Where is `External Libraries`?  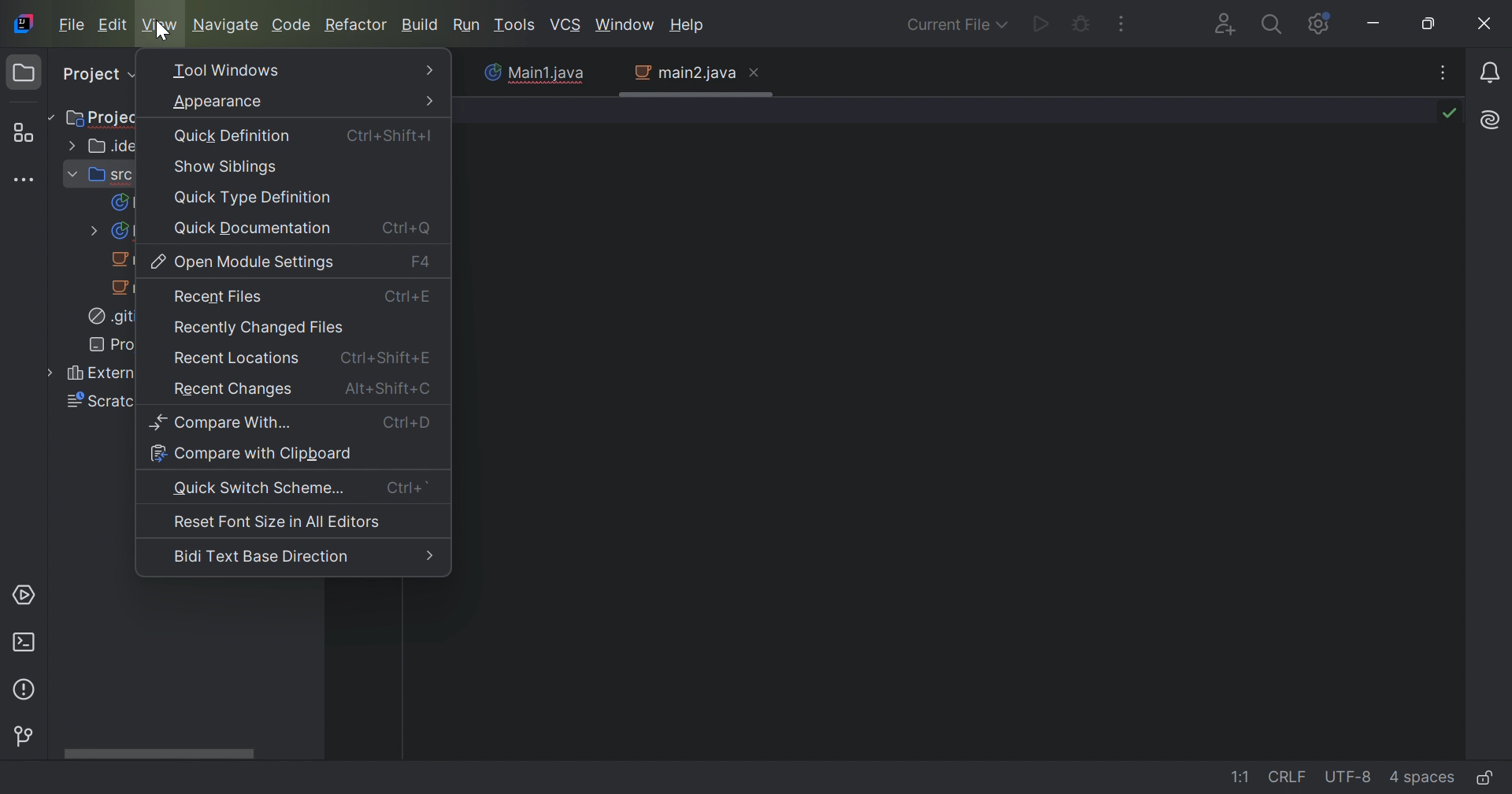
External Libraries is located at coordinates (91, 375).